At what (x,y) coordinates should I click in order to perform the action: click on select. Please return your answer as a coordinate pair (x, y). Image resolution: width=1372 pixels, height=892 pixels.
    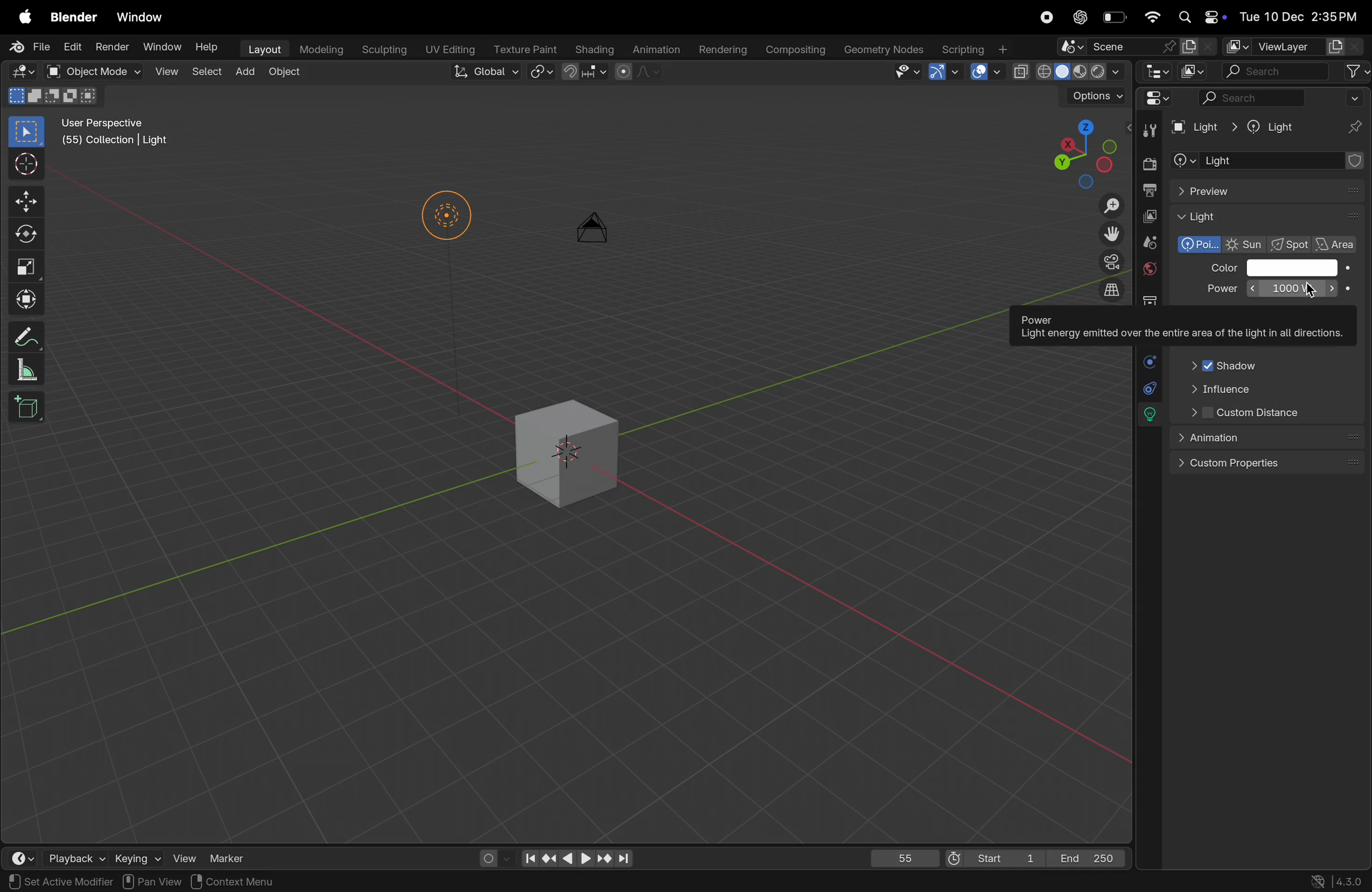
    Looking at the image, I should click on (208, 74).